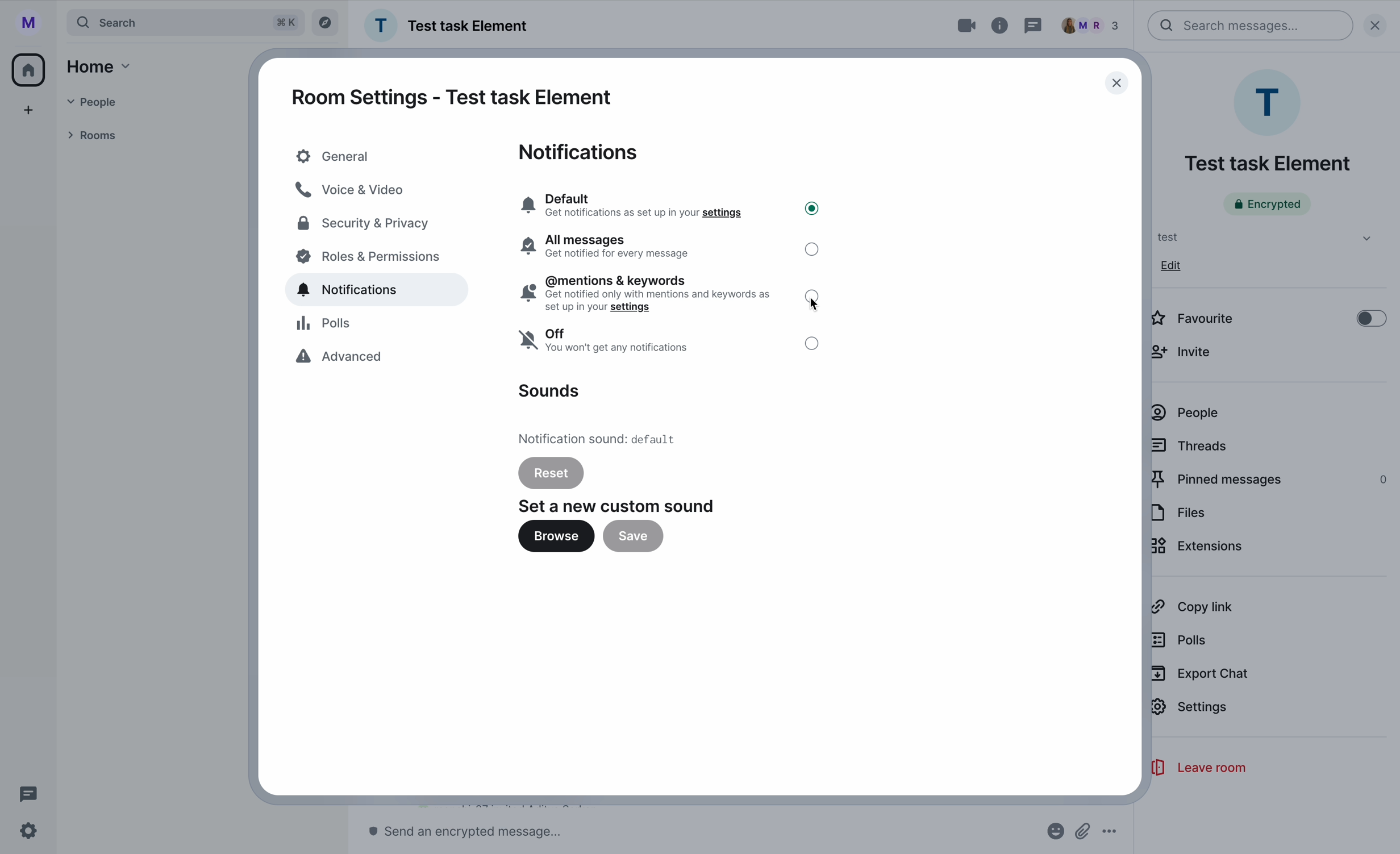 This screenshot has height=854, width=1400. I want to click on explore, so click(326, 23).